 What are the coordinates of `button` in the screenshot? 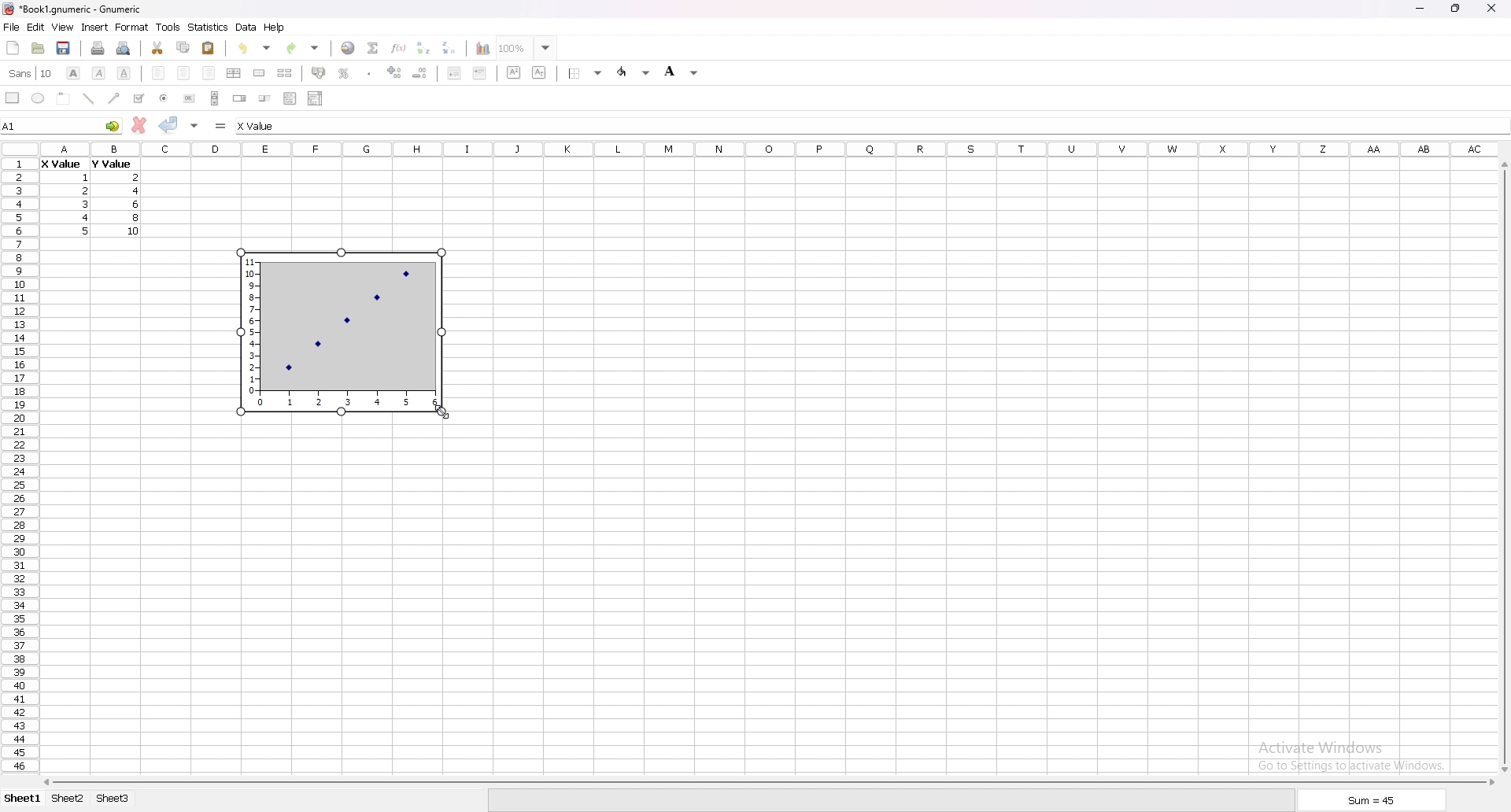 It's located at (189, 98).